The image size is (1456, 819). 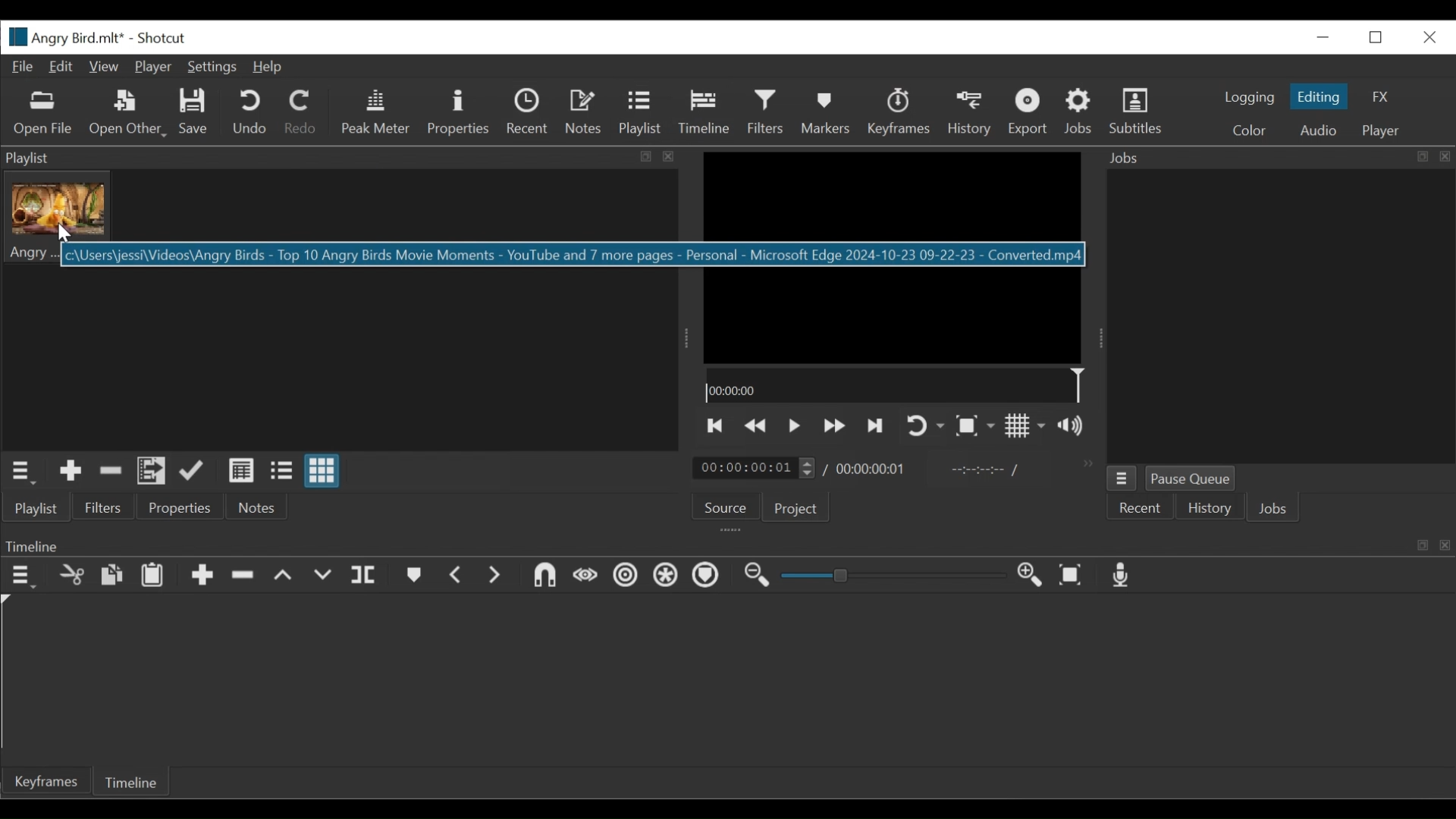 I want to click on Help, so click(x=268, y=67).